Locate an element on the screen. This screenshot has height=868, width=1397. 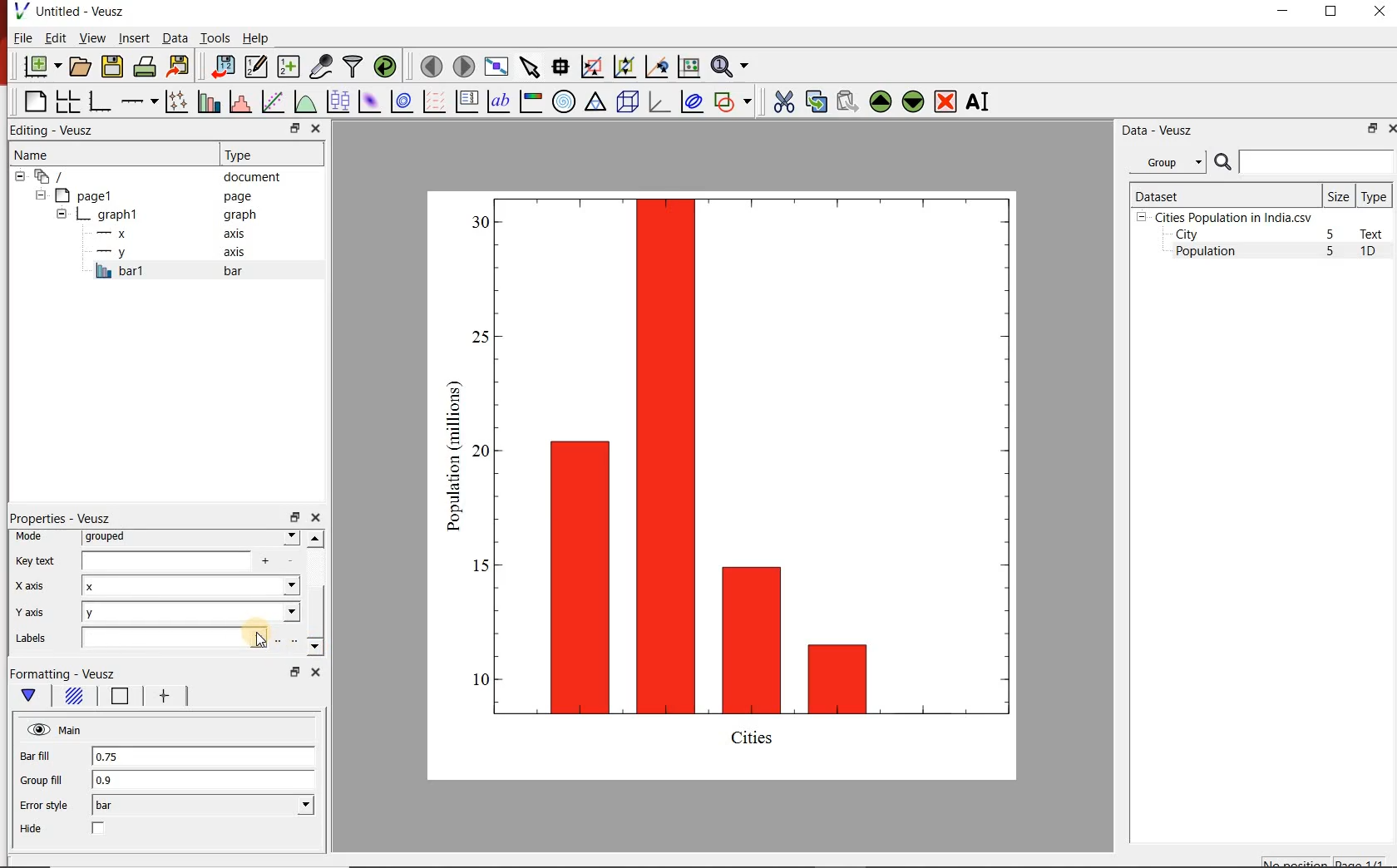
paste widget from the clipboard is located at coordinates (847, 101).